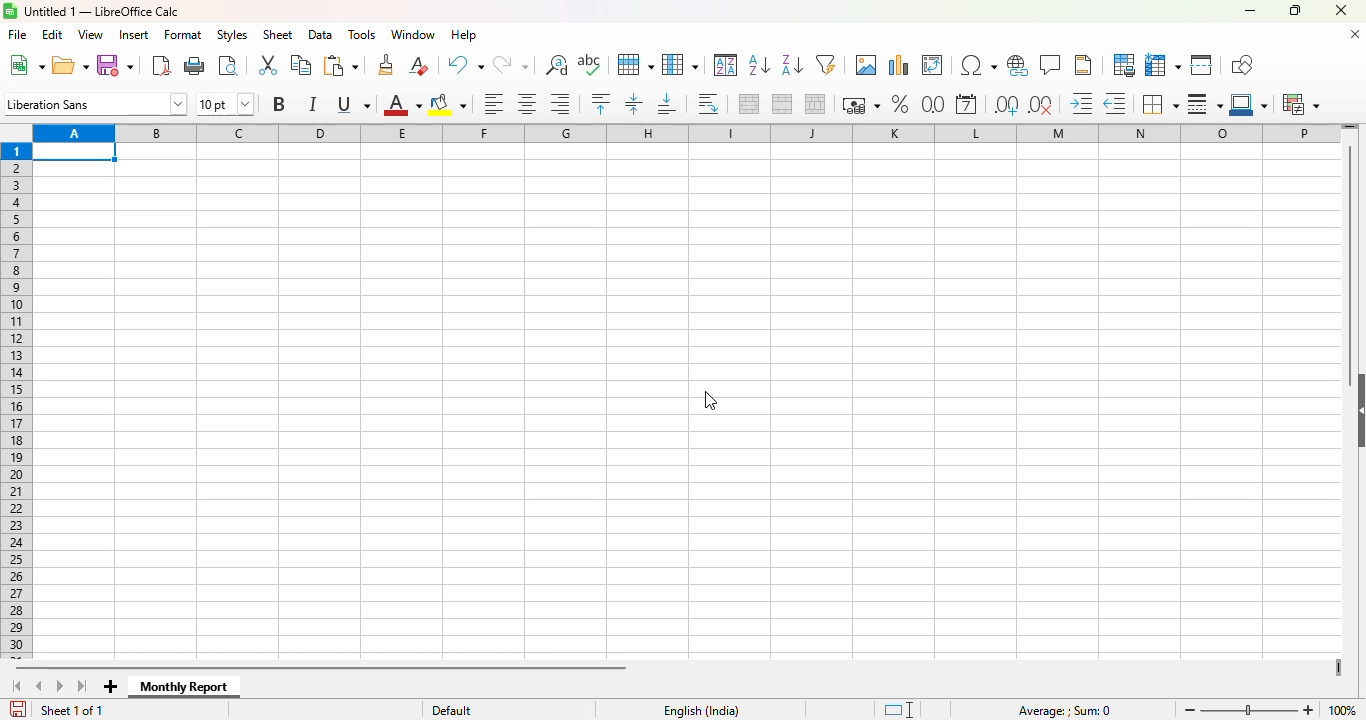 The height and width of the screenshot is (720, 1366). Describe the element at coordinates (1050, 64) in the screenshot. I see `insert comment` at that location.